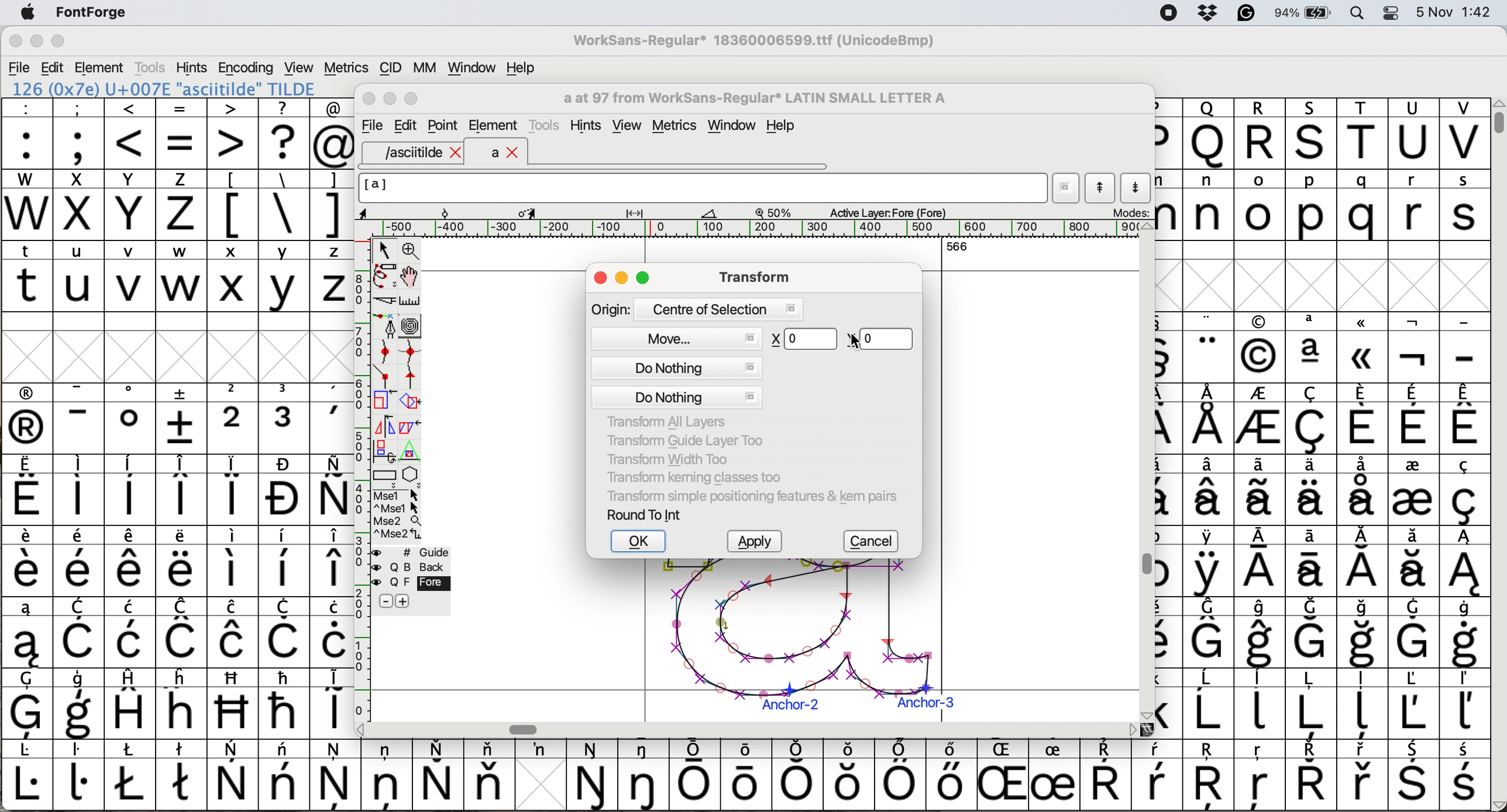  Describe the element at coordinates (1167, 14) in the screenshot. I see `screen recorder` at that location.